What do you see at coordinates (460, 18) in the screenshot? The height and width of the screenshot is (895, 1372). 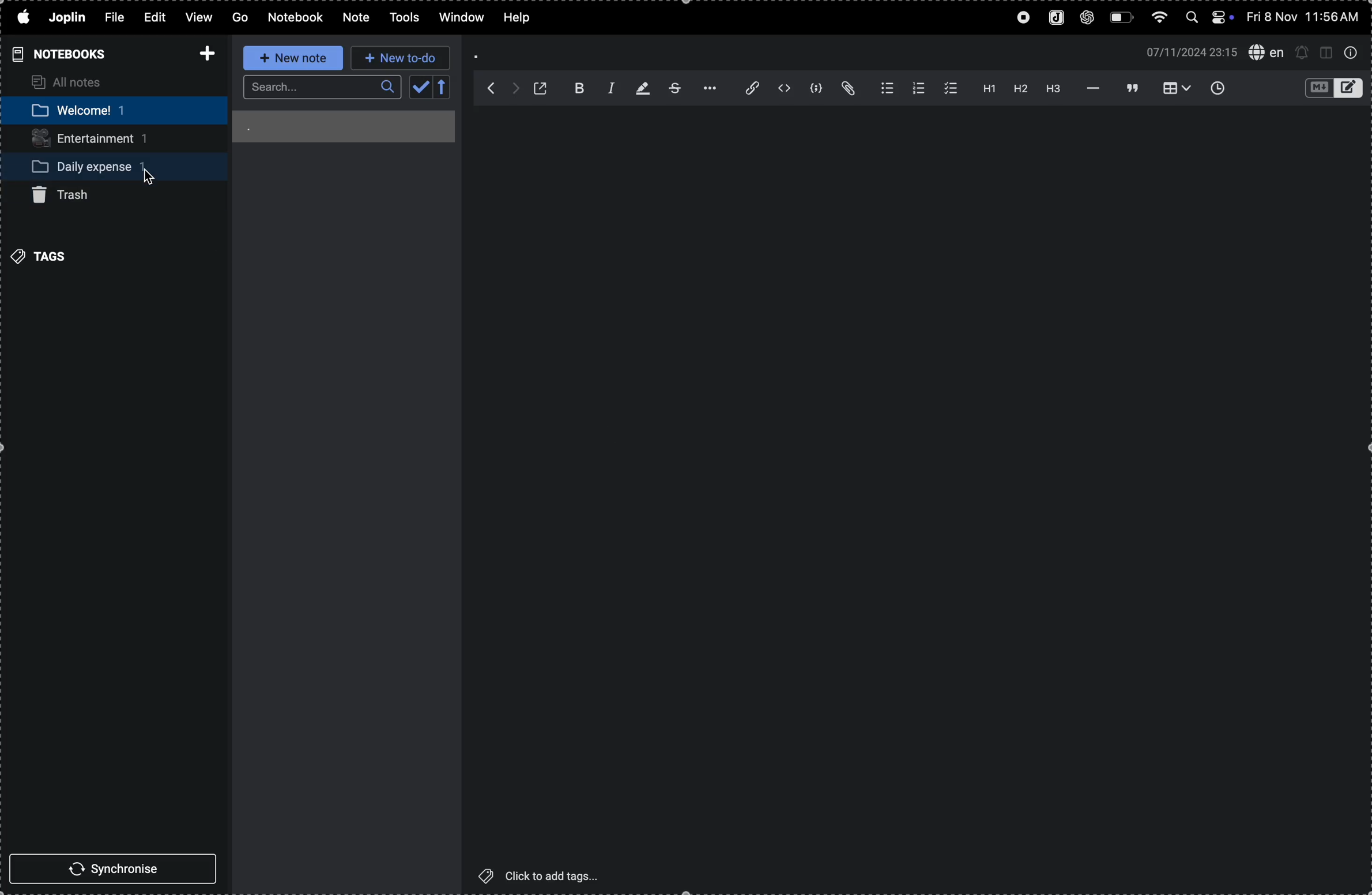 I see `window` at bounding box center [460, 18].